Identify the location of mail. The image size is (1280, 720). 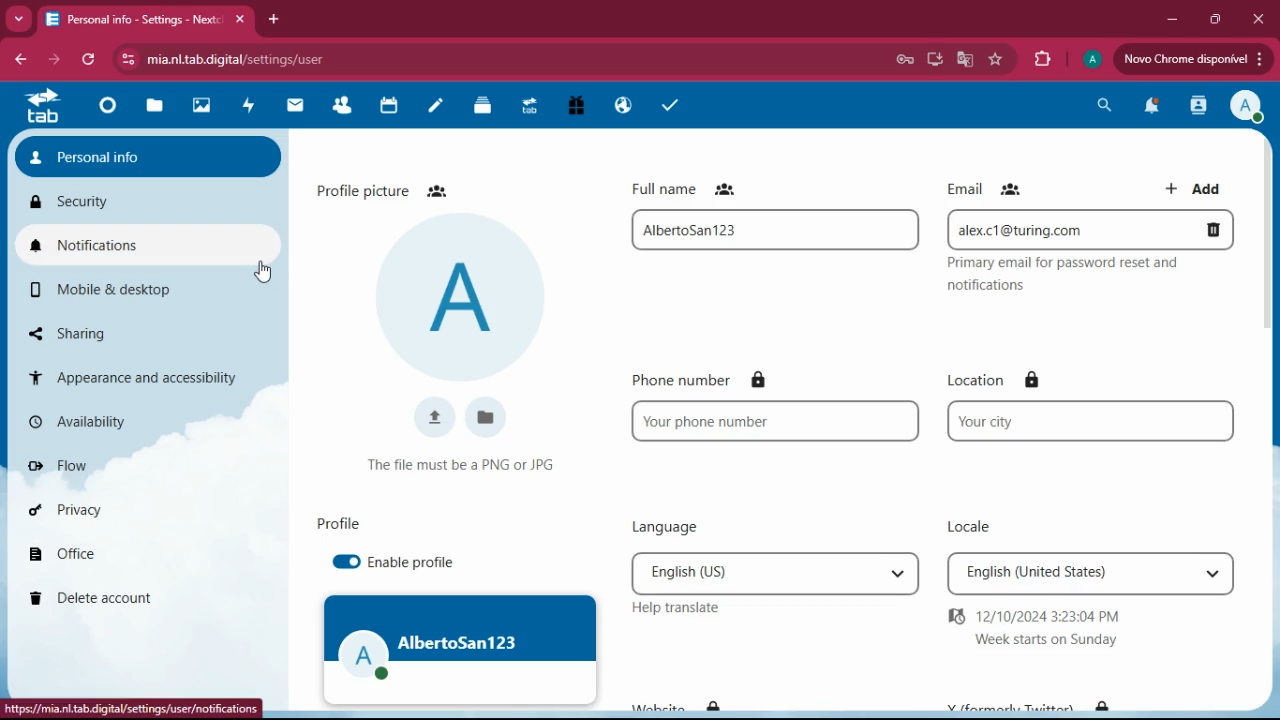
(298, 106).